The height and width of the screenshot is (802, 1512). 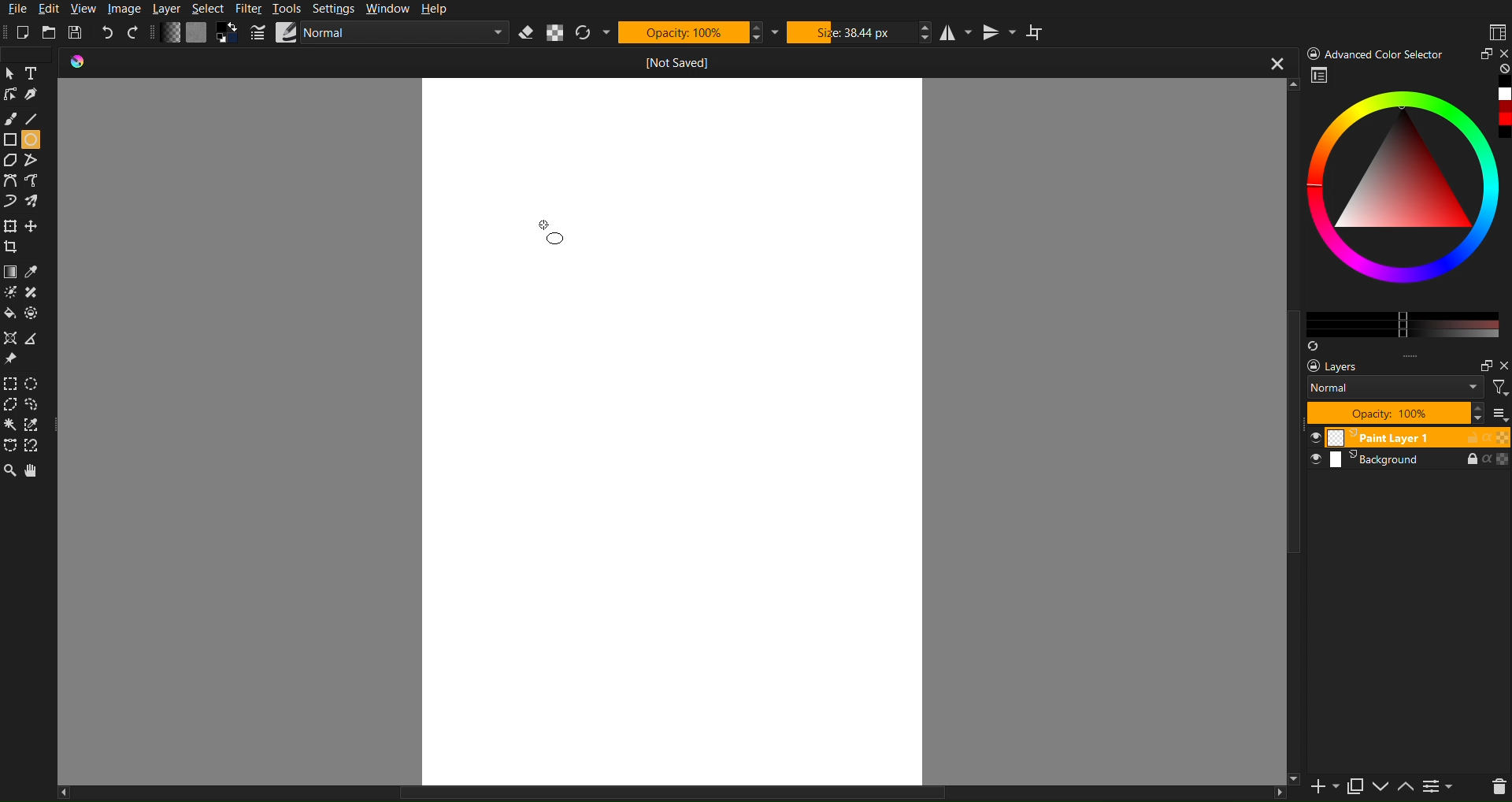 I want to click on Normal, so click(x=1396, y=387).